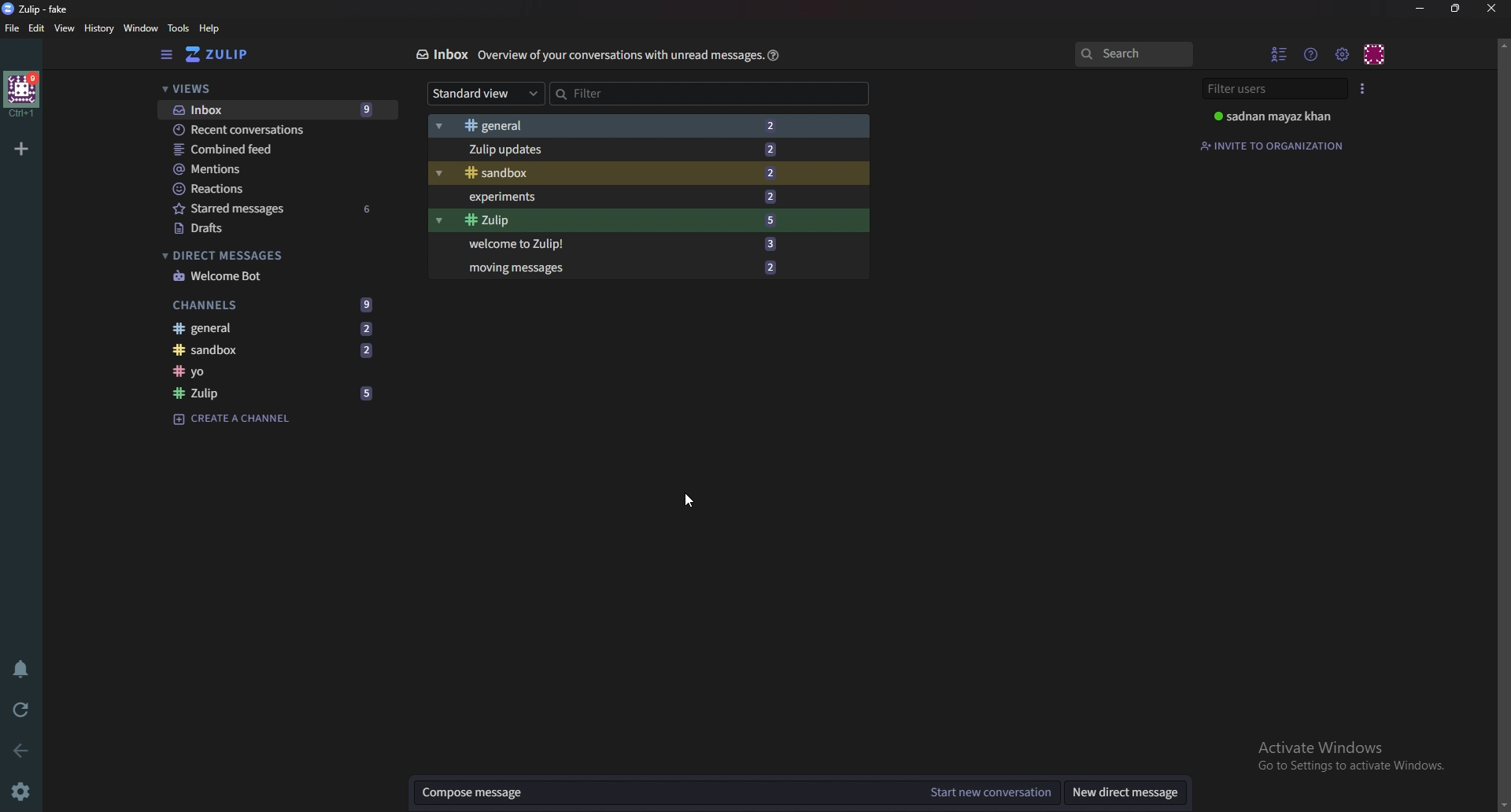 This screenshot has height=812, width=1511. I want to click on Zulip, so click(626, 222).